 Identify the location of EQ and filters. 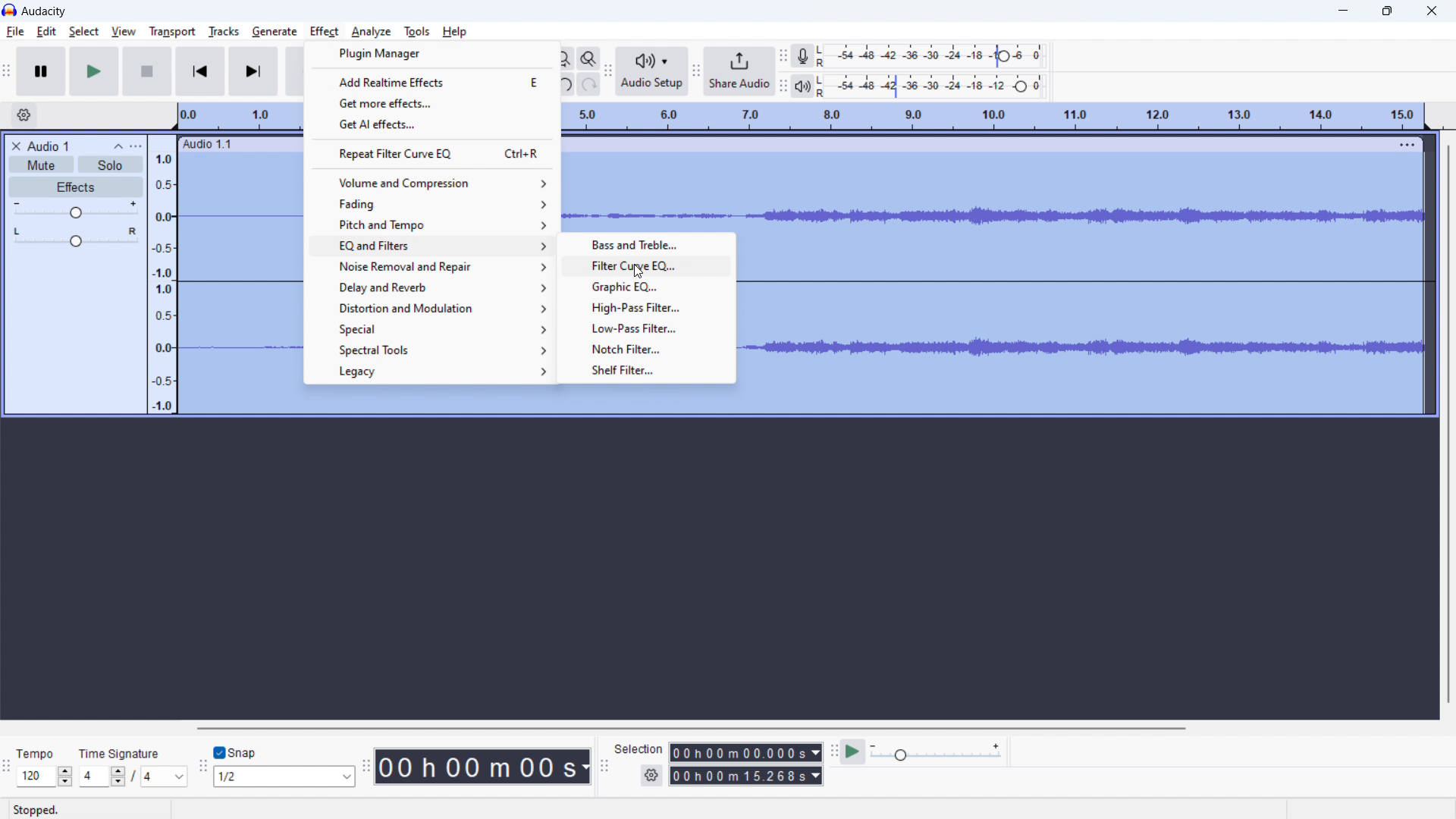
(431, 246).